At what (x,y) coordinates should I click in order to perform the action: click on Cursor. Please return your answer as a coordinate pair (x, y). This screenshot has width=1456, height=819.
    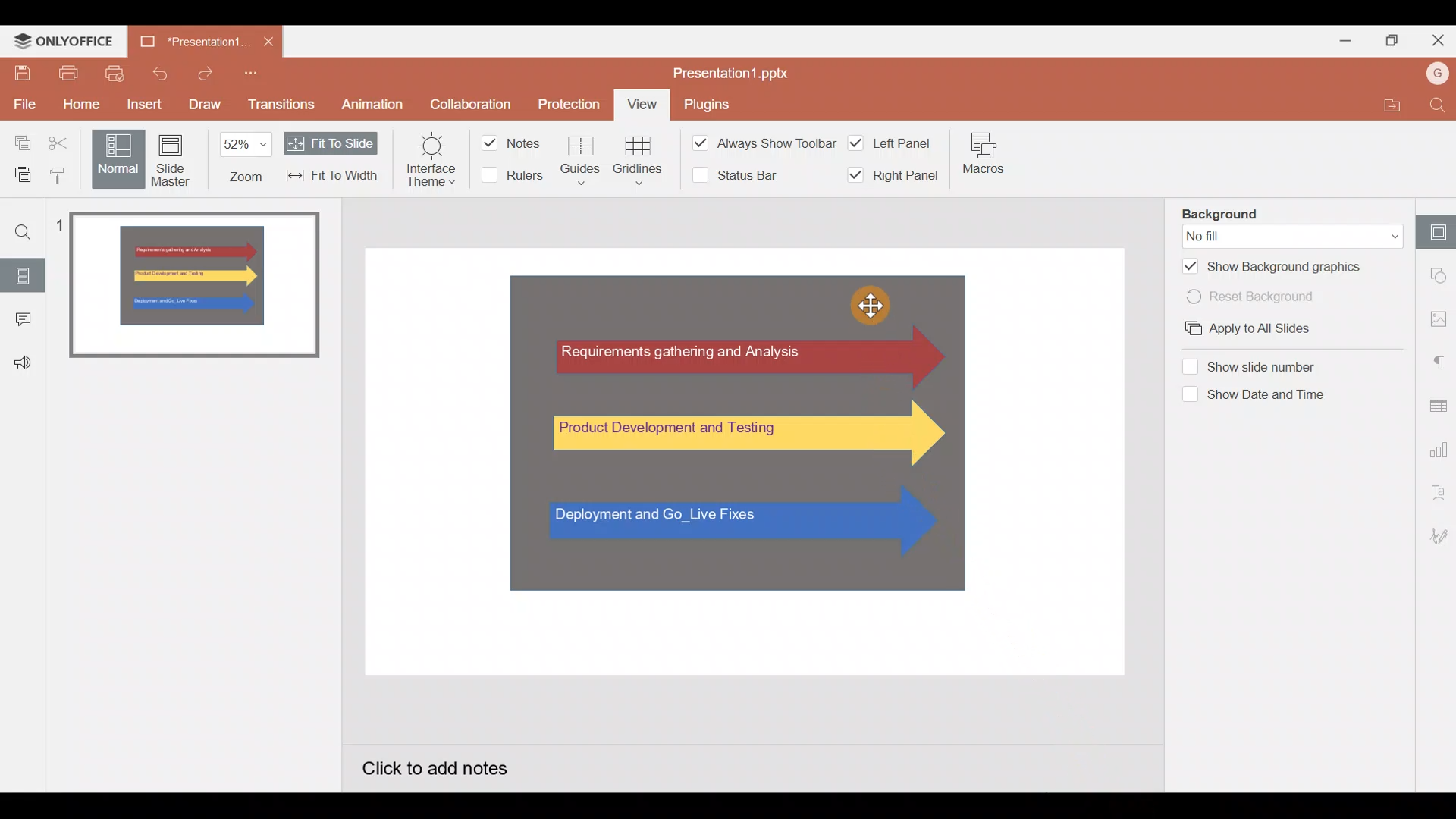
    Looking at the image, I should click on (868, 305).